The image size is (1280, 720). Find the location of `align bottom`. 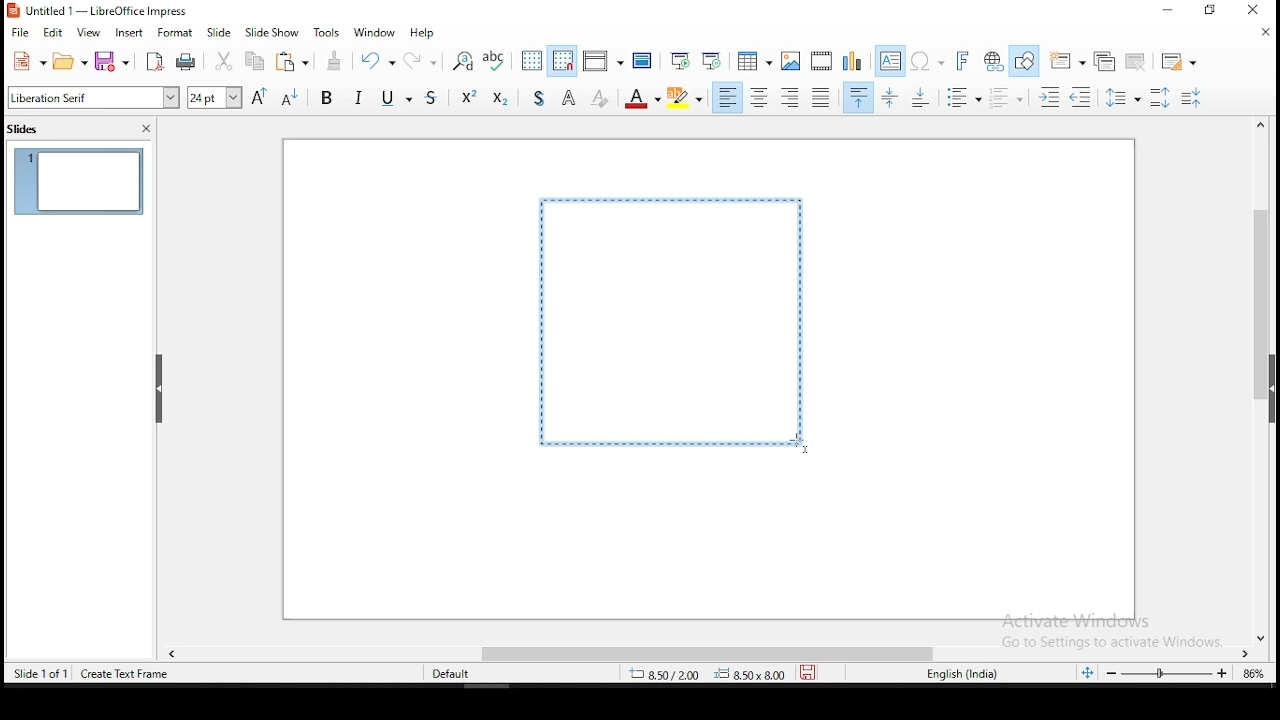

align bottom is located at coordinates (918, 99).